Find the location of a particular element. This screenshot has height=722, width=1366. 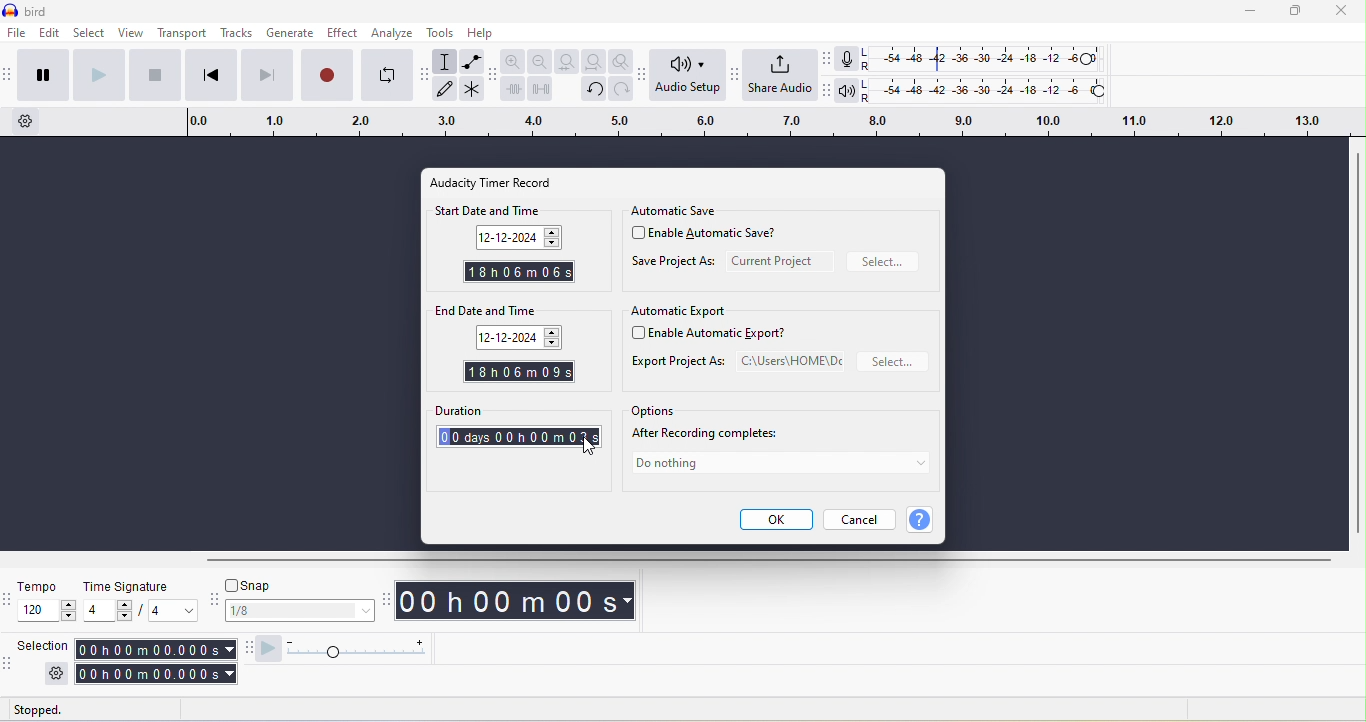

record meter is located at coordinates (848, 59).